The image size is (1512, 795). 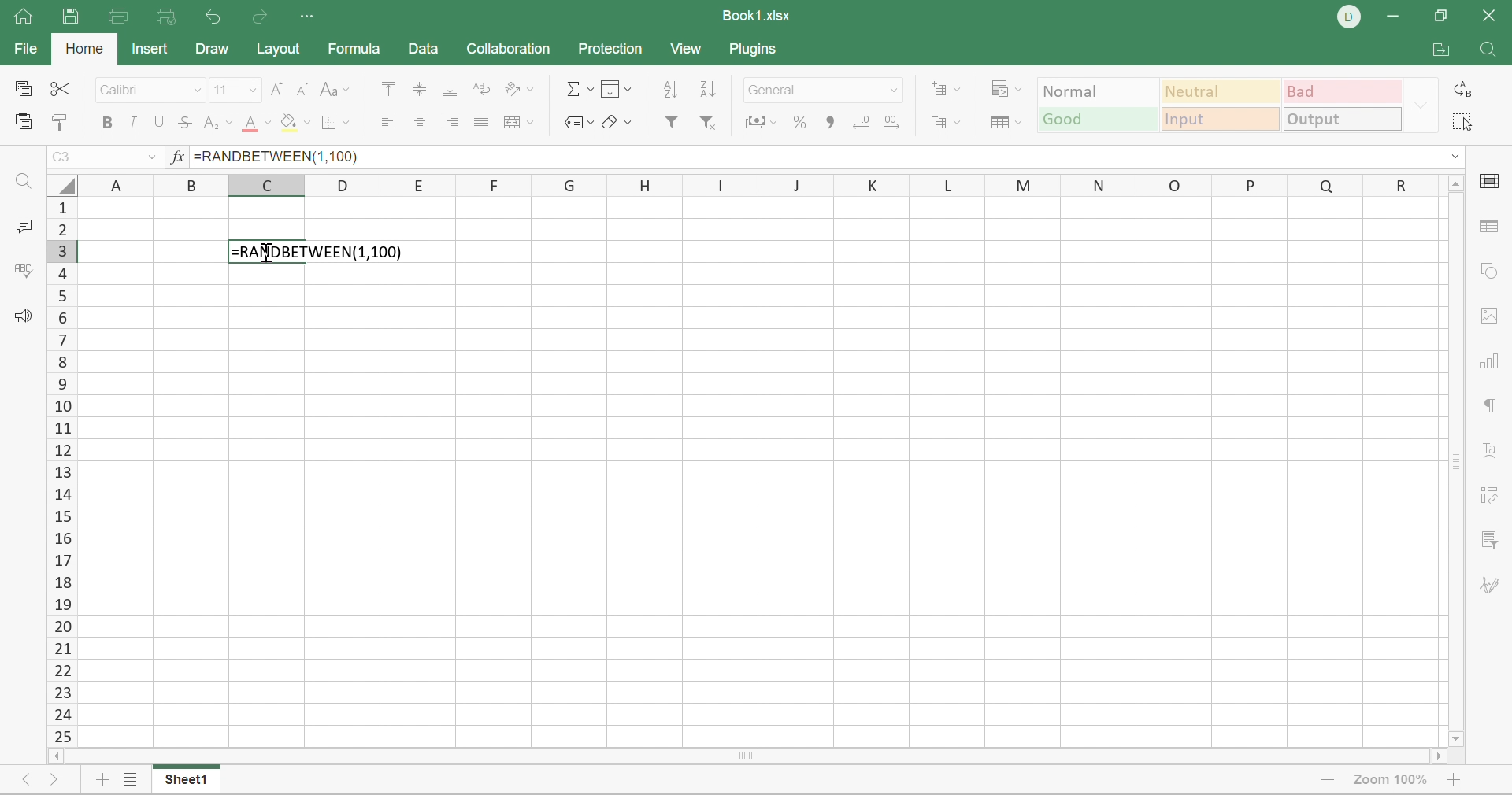 What do you see at coordinates (758, 123) in the screenshot?
I see `Accounting style` at bounding box center [758, 123].